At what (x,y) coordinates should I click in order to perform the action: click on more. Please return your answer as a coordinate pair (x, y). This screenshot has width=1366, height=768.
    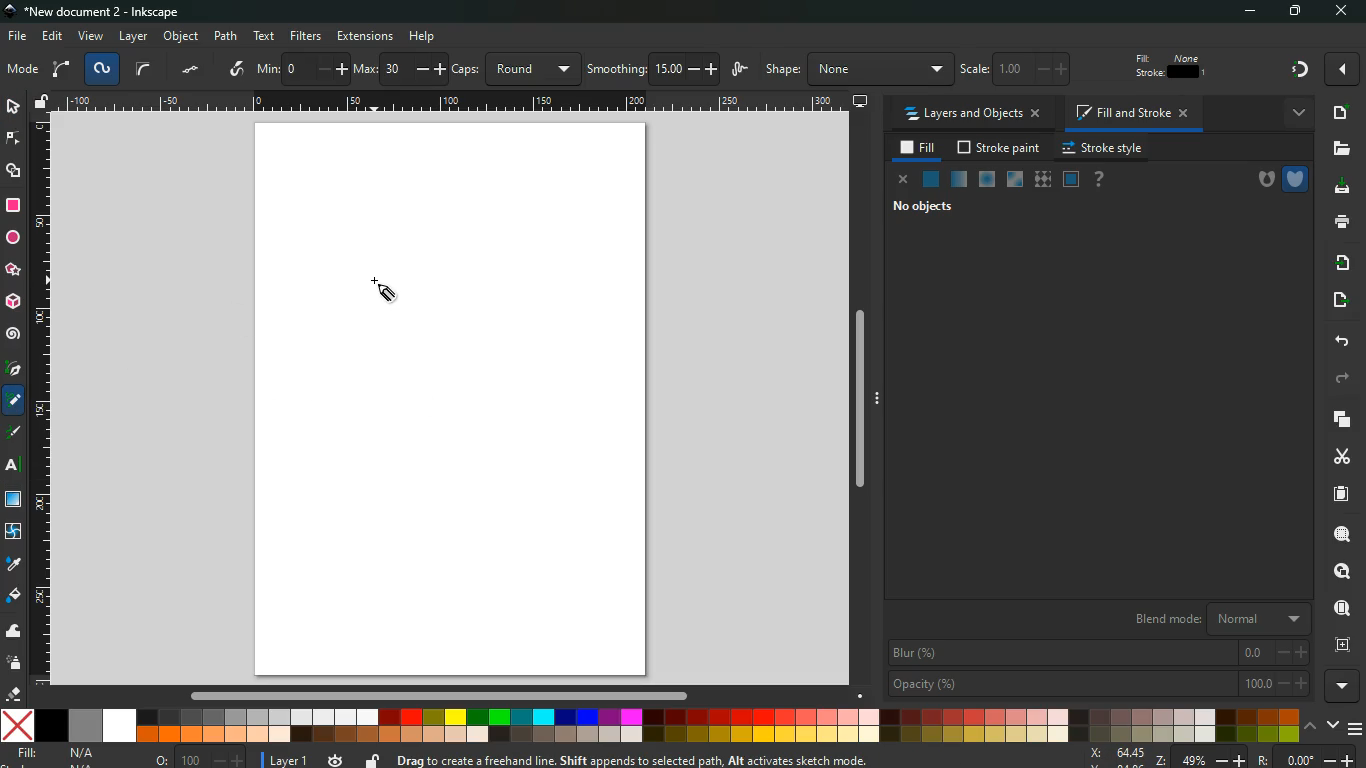
    Looking at the image, I should click on (1344, 686).